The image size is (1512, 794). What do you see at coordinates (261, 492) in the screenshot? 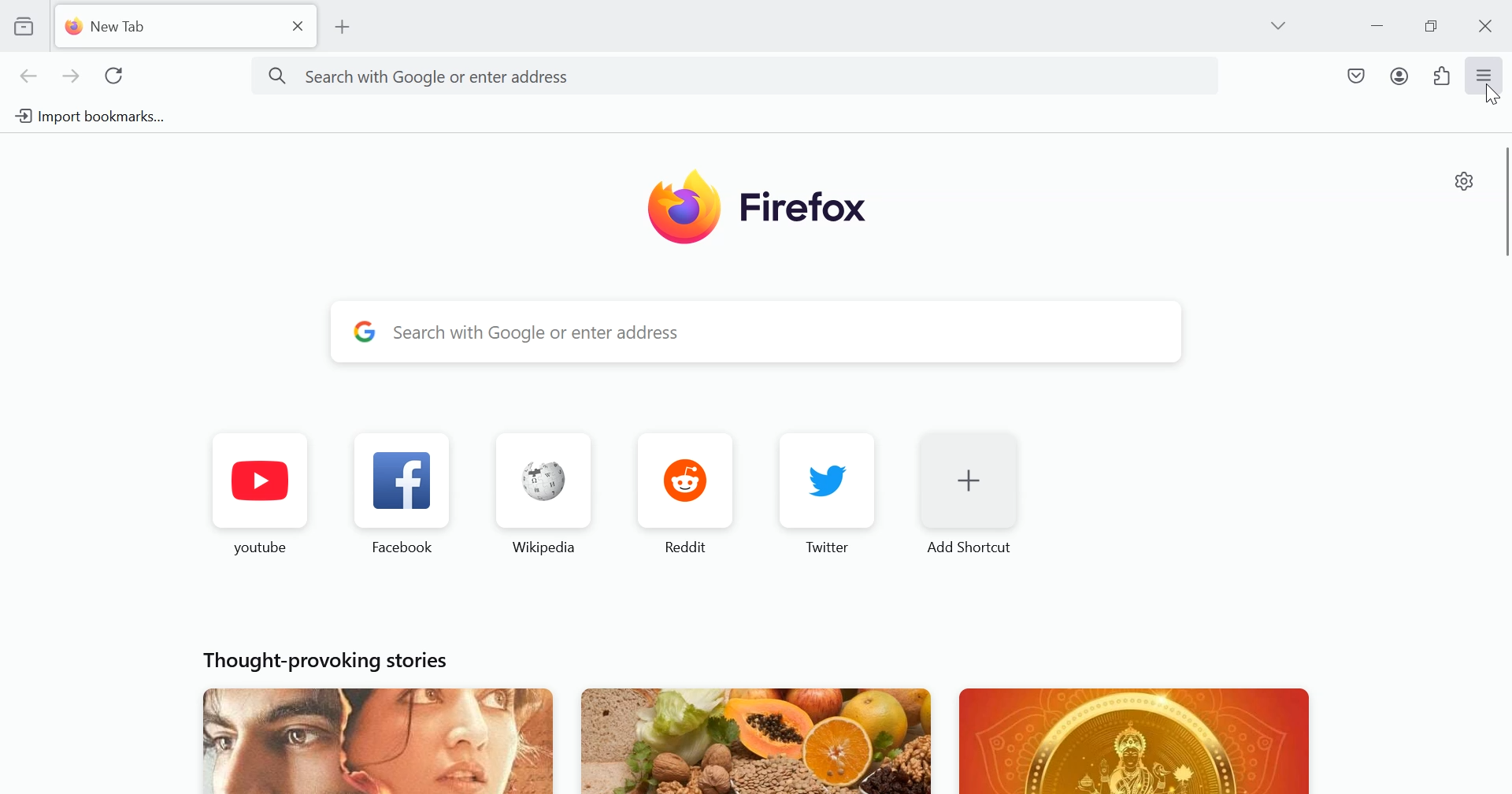
I see `YouTube` at bounding box center [261, 492].